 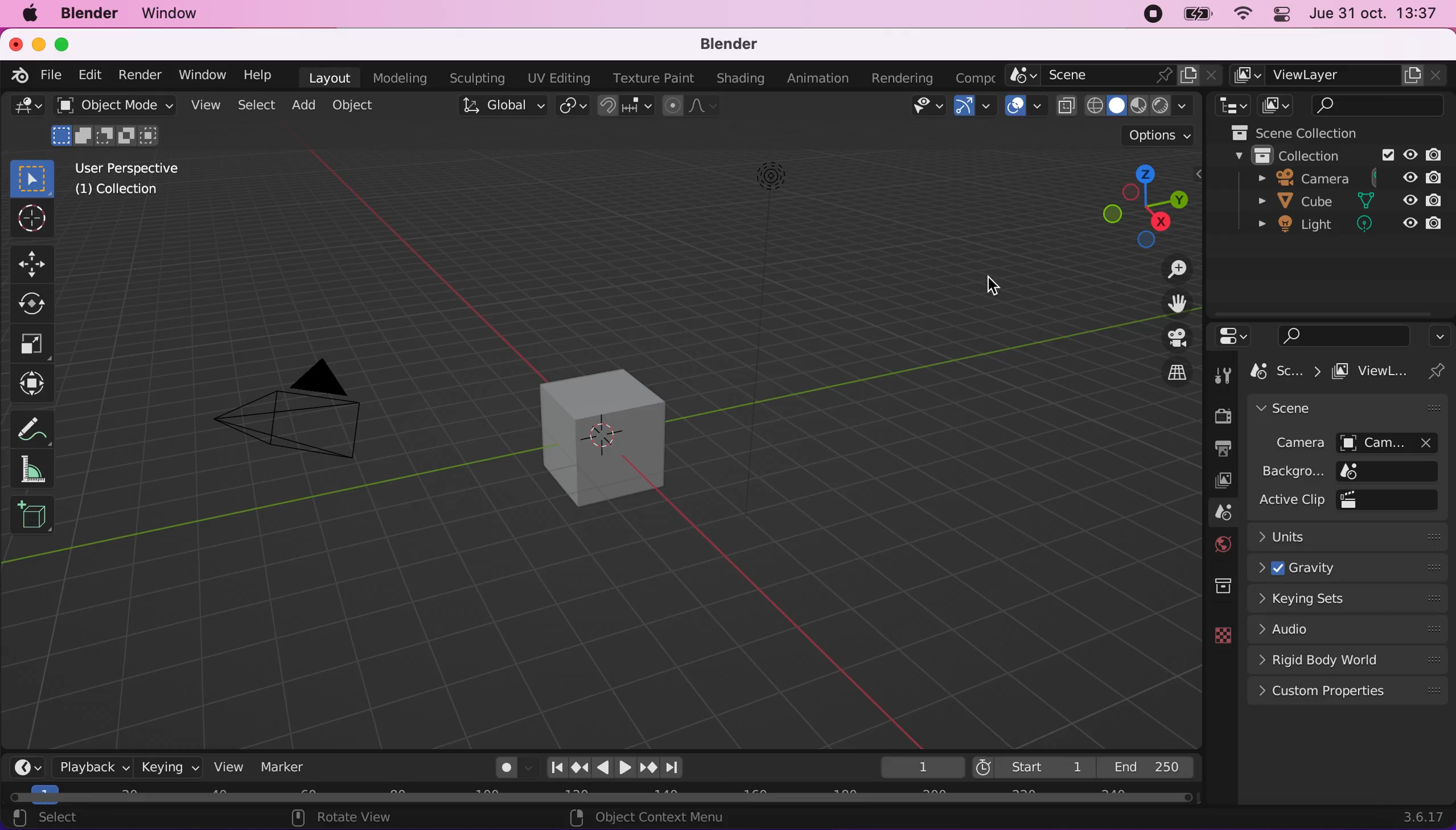 What do you see at coordinates (1439, 334) in the screenshot?
I see `options` at bounding box center [1439, 334].